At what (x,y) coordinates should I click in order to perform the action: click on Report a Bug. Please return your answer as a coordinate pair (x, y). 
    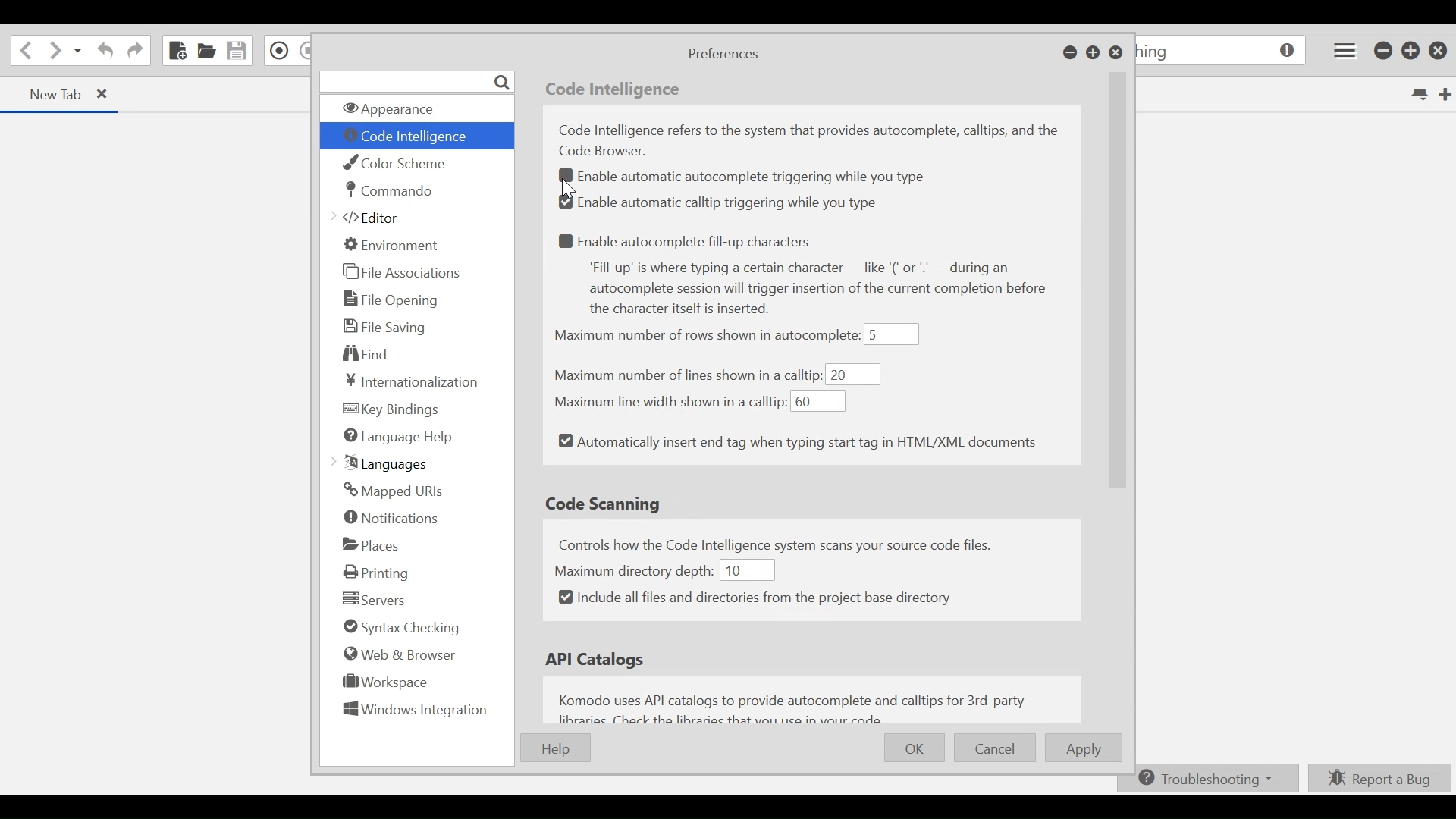
    Looking at the image, I should click on (1380, 777).